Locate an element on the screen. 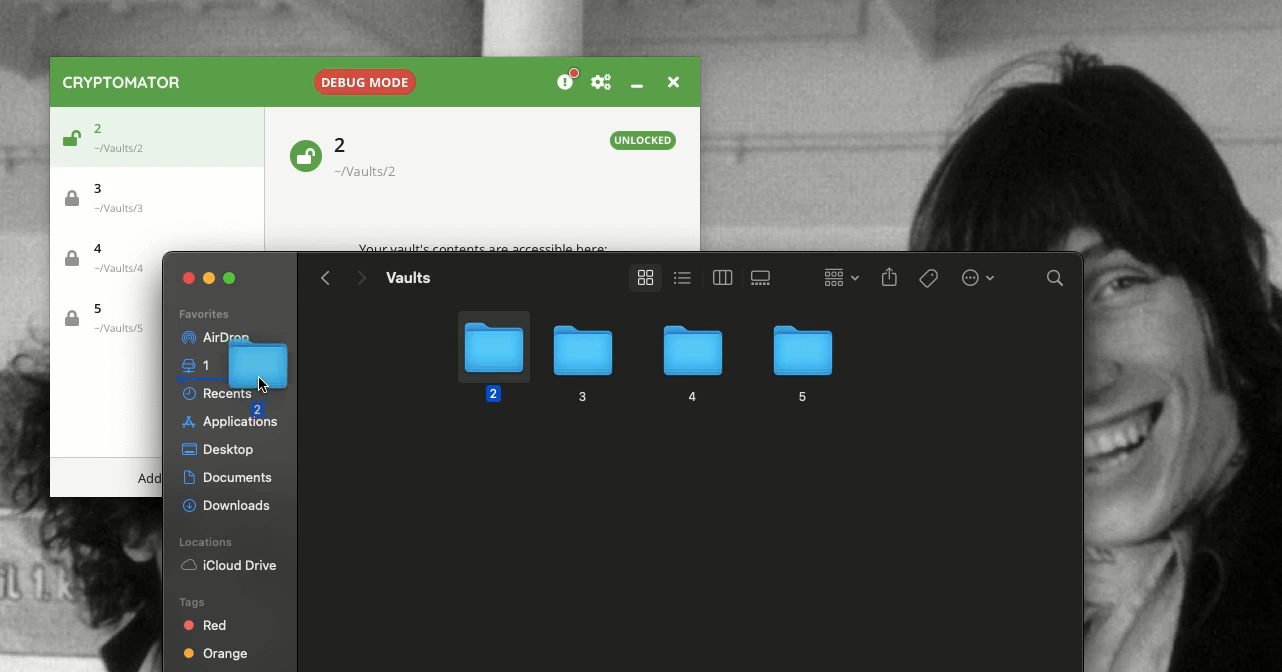  View 3 is located at coordinates (764, 278).